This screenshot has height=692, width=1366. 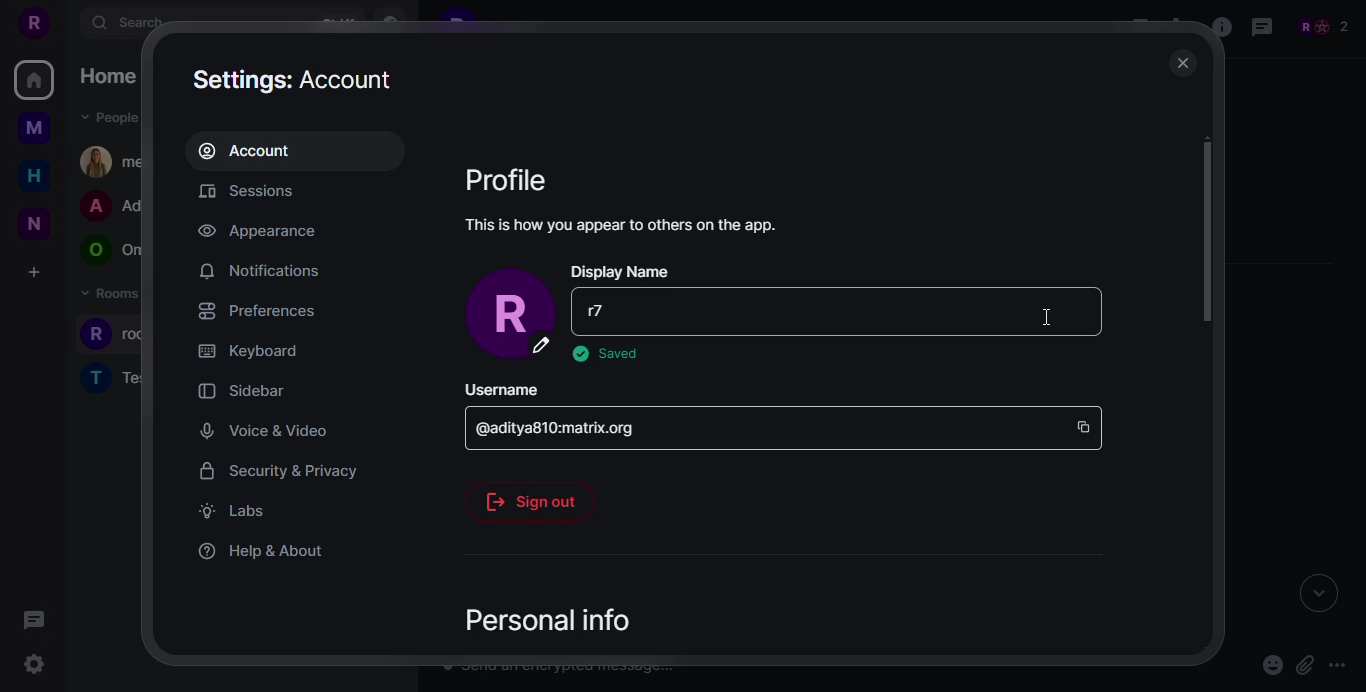 I want to click on home, so click(x=32, y=176).